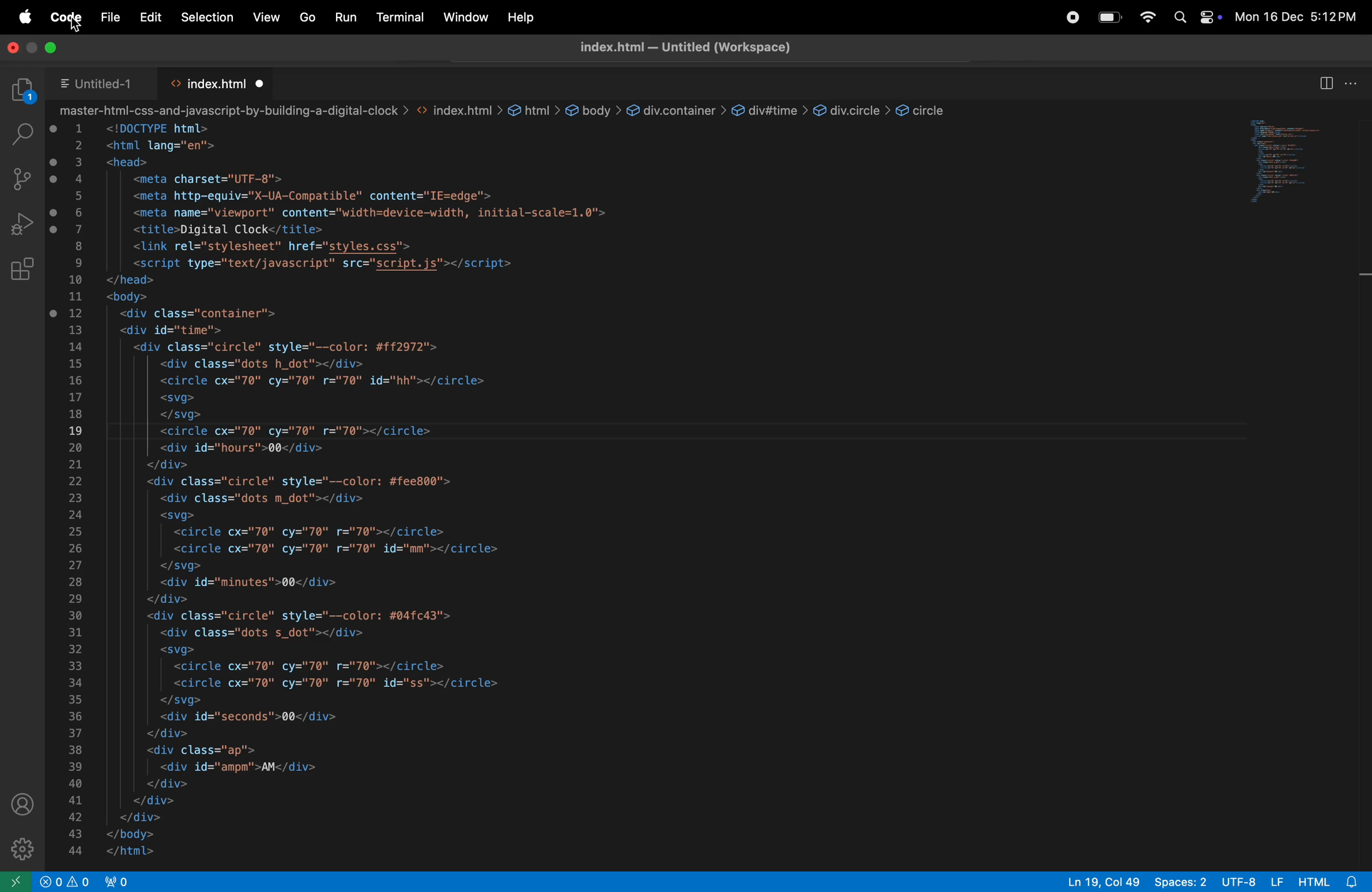  I want to click on <link rel="stylesheet" href="styles.css">, so click(269, 246).